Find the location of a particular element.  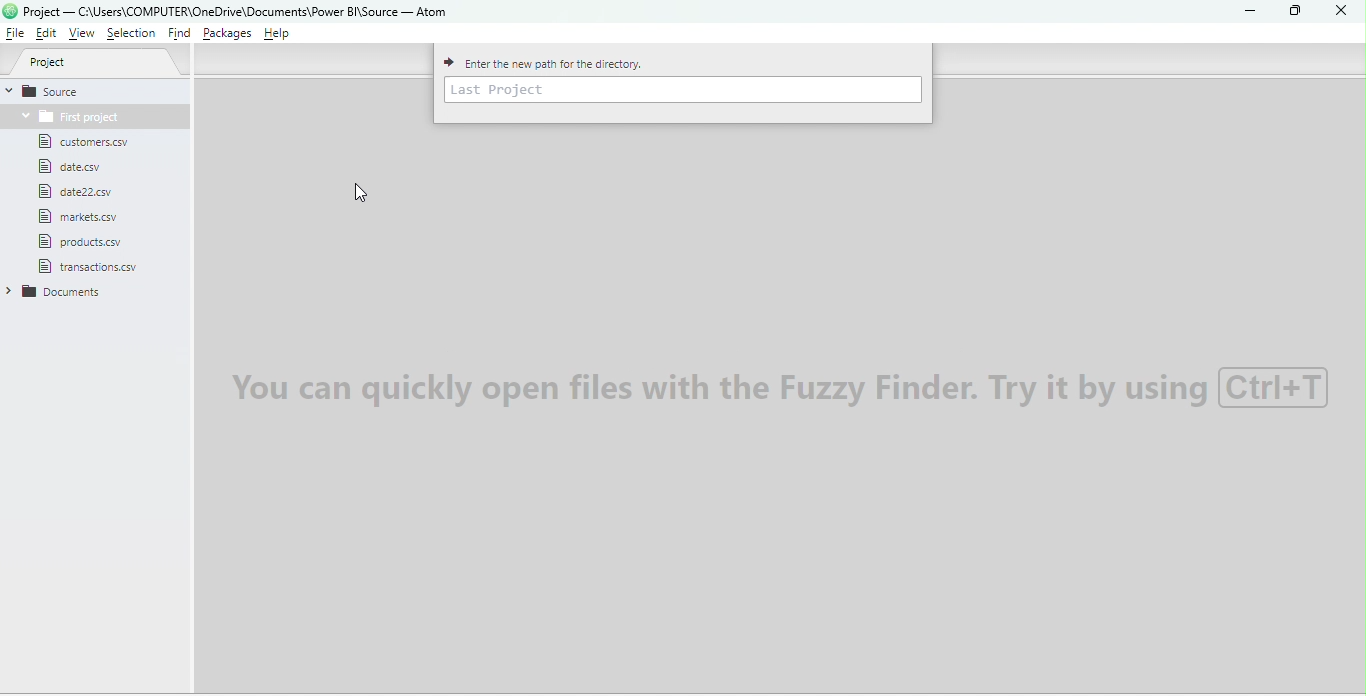

File name is located at coordinates (243, 12).